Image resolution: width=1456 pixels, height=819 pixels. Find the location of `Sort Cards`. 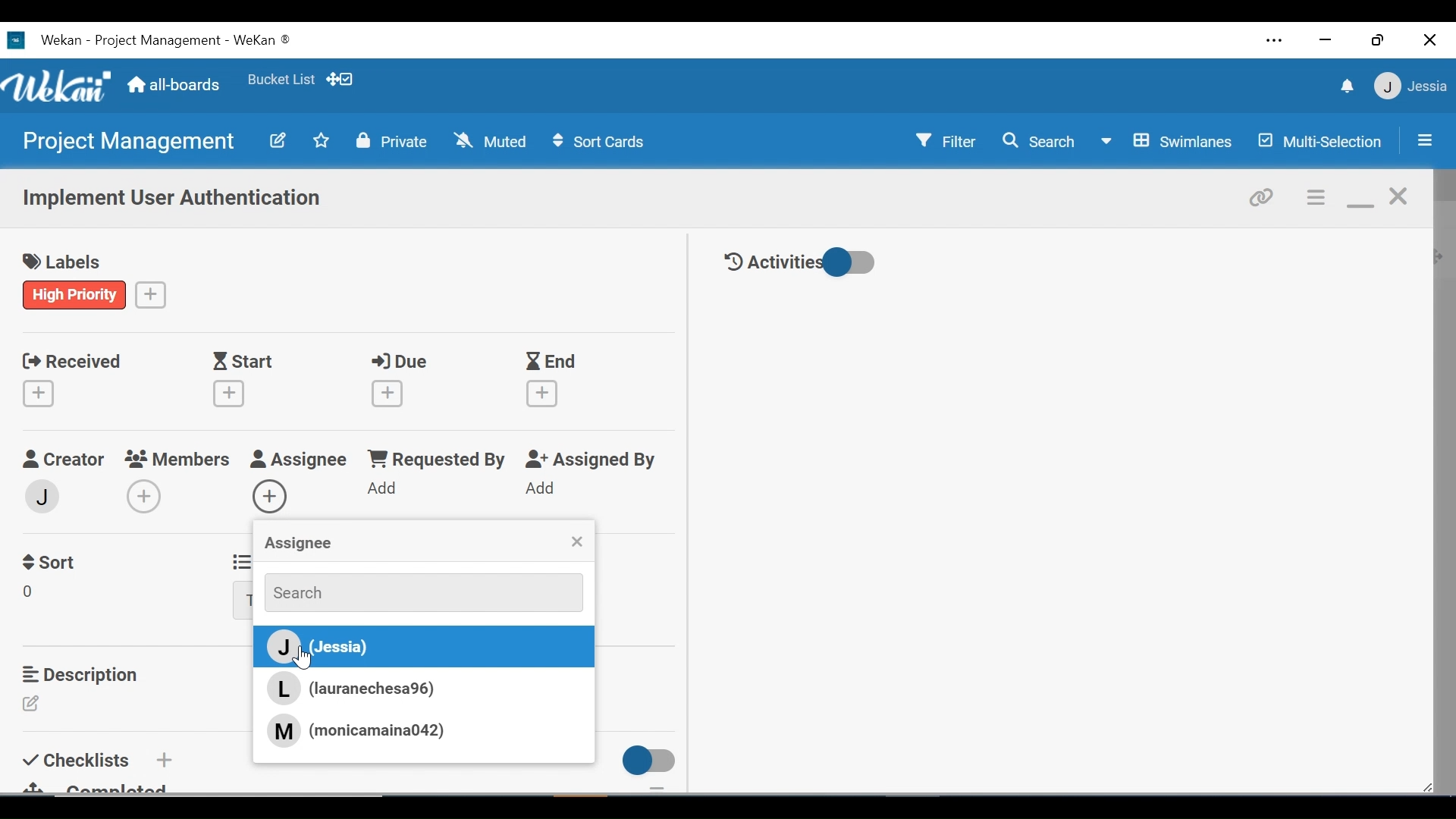

Sort Cards is located at coordinates (597, 142).